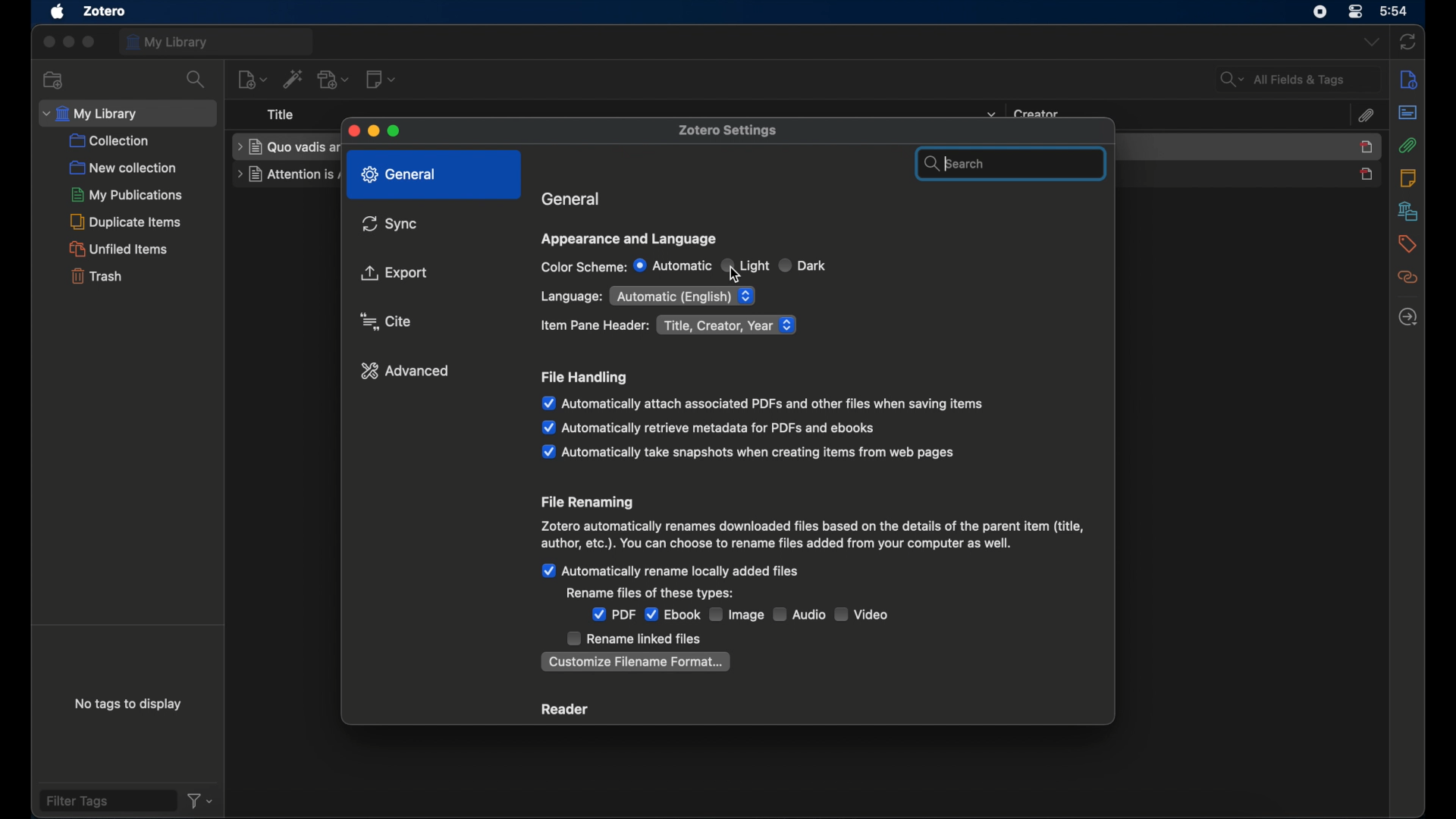 Image resolution: width=1456 pixels, height=819 pixels. What do you see at coordinates (862, 613) in the screenshot?
I see `video checkbox` at bounding box center [862, 613].